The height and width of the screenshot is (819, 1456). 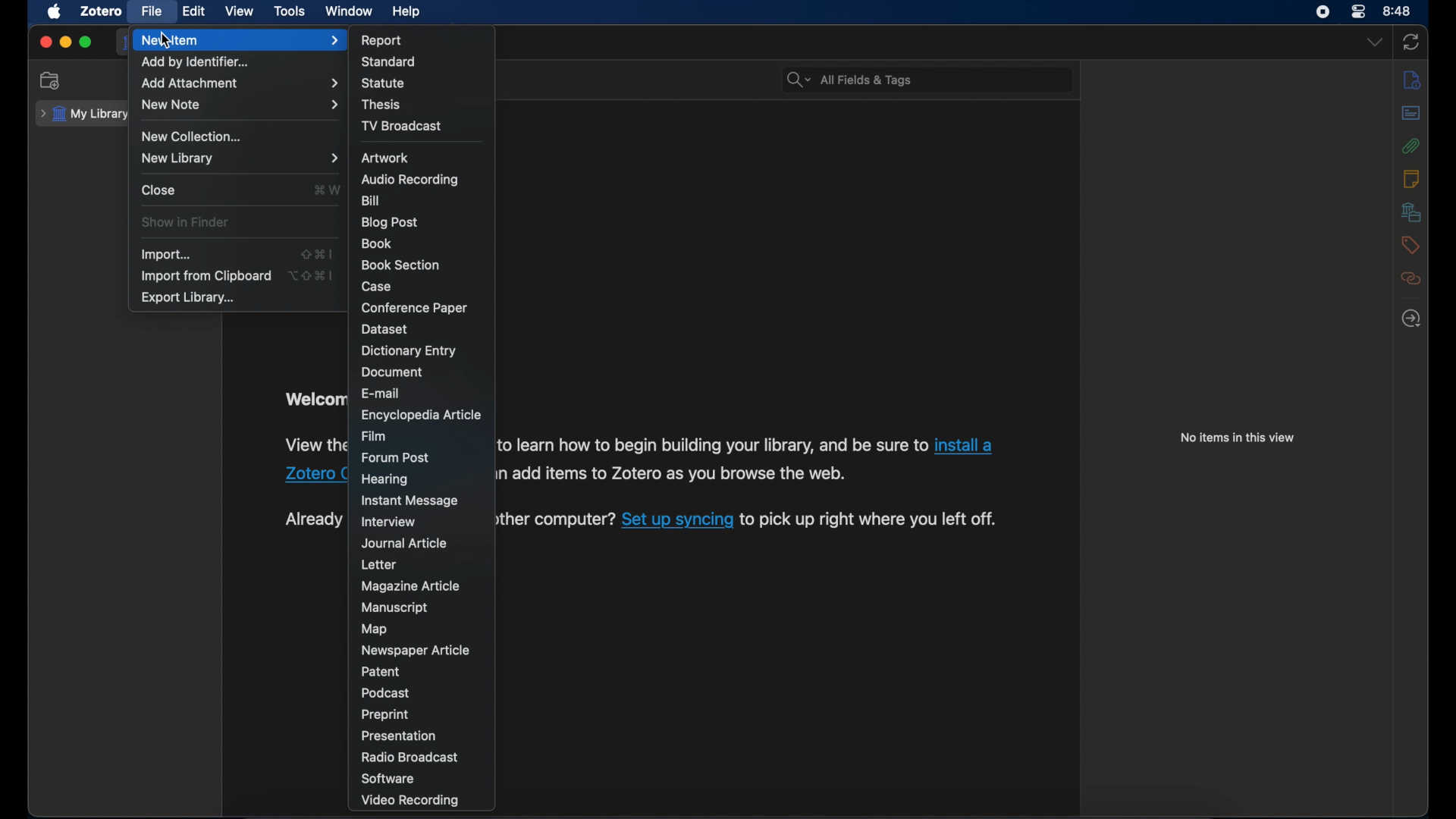 I want to click on add by identifier, so click(x=199, y=63).